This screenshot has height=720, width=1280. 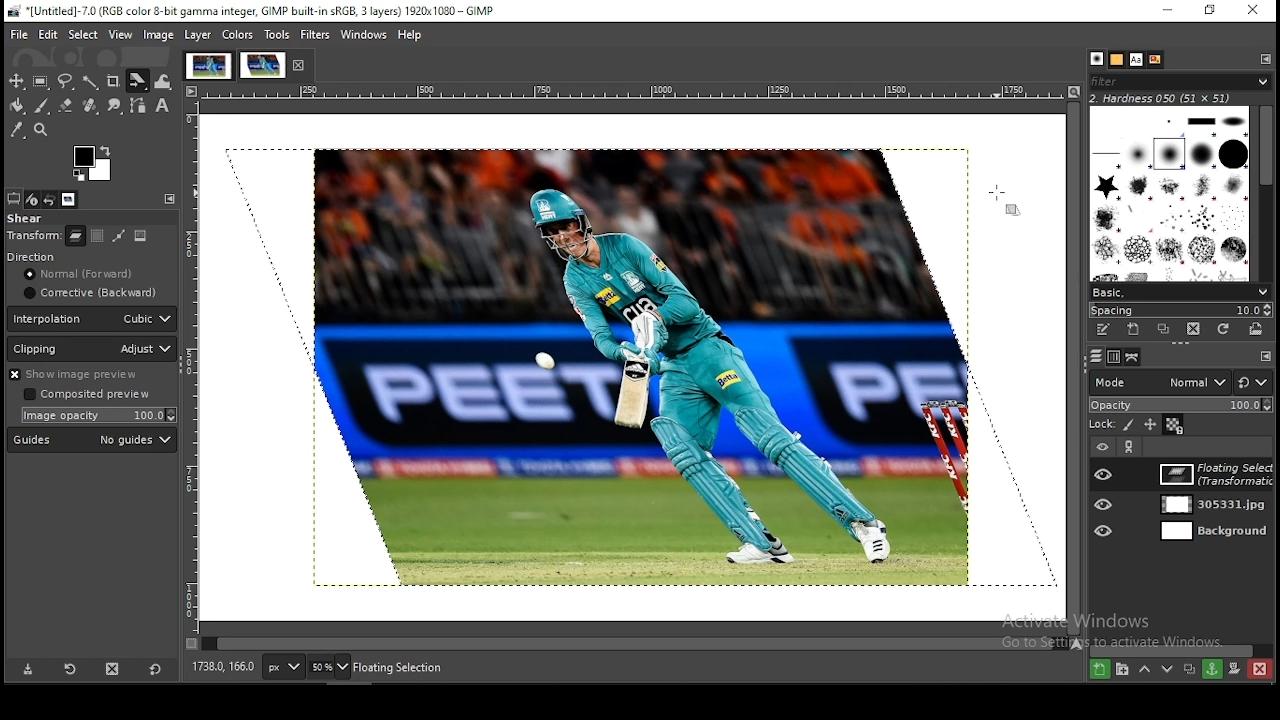 I want to click on zoom tool, so click(x=42, y=132).